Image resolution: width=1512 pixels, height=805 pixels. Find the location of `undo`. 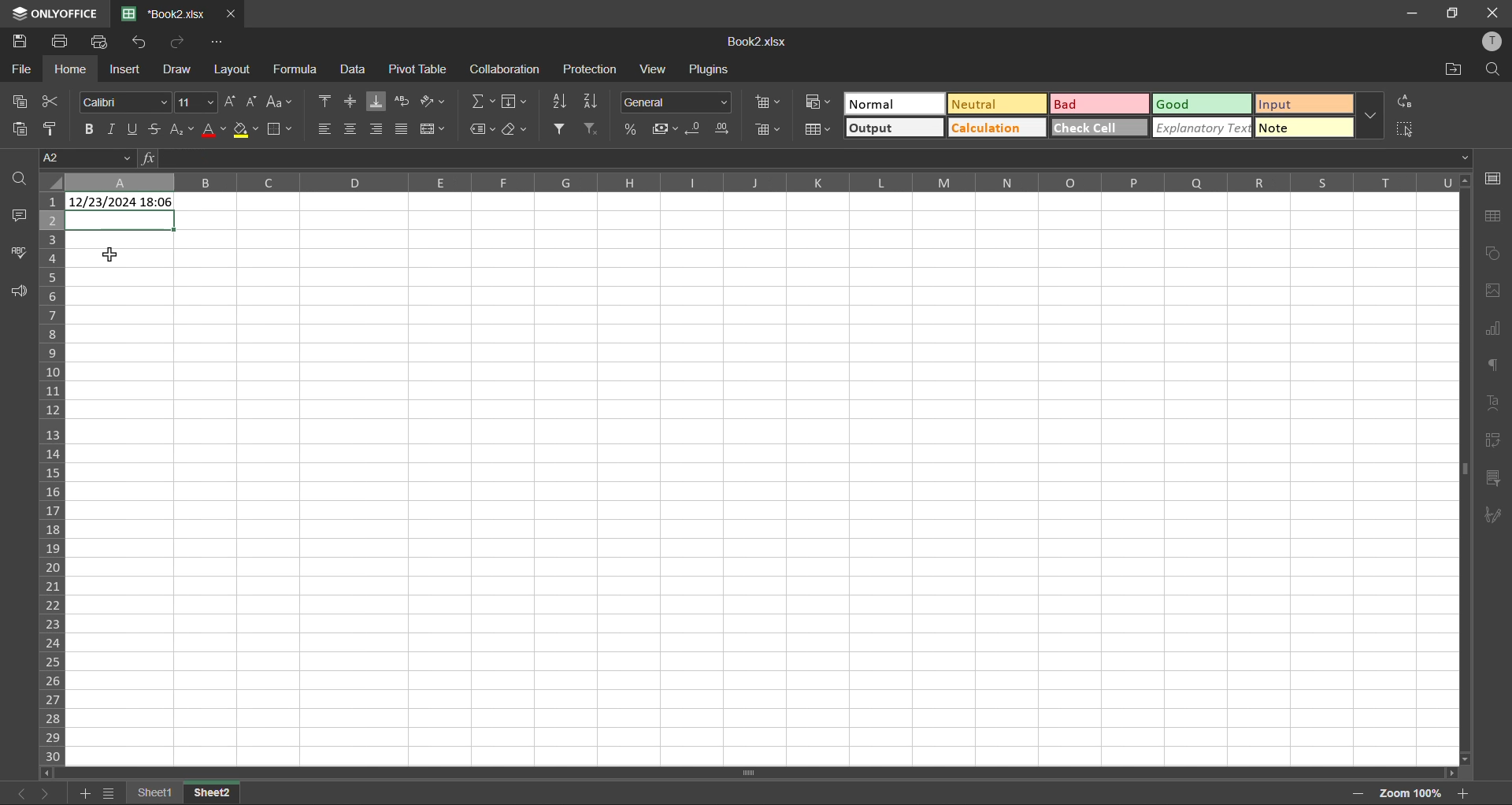

undo is located at coordinates (141, 42).